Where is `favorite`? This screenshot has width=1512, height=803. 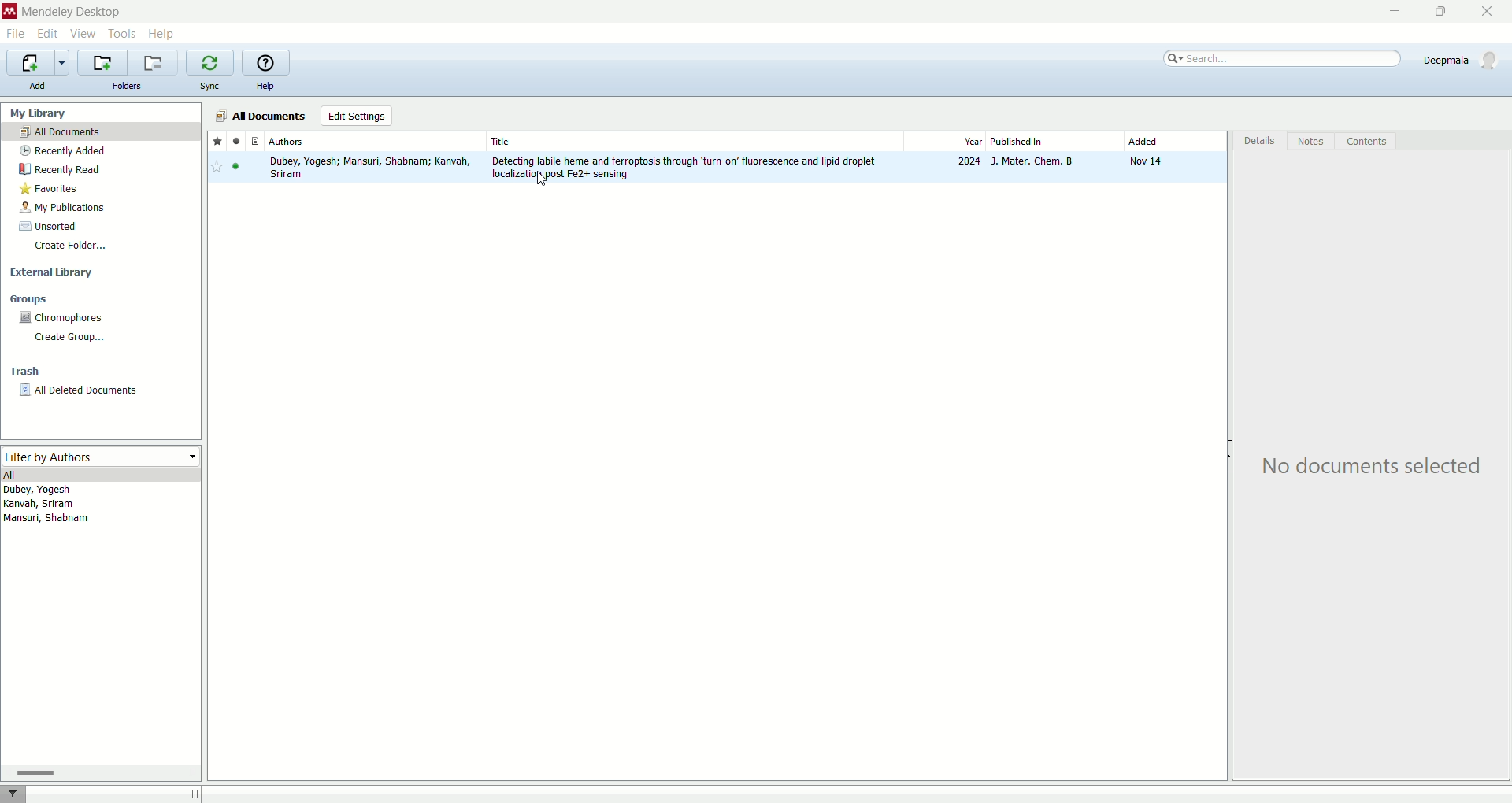
favorite is located at coordinates (217, 142).